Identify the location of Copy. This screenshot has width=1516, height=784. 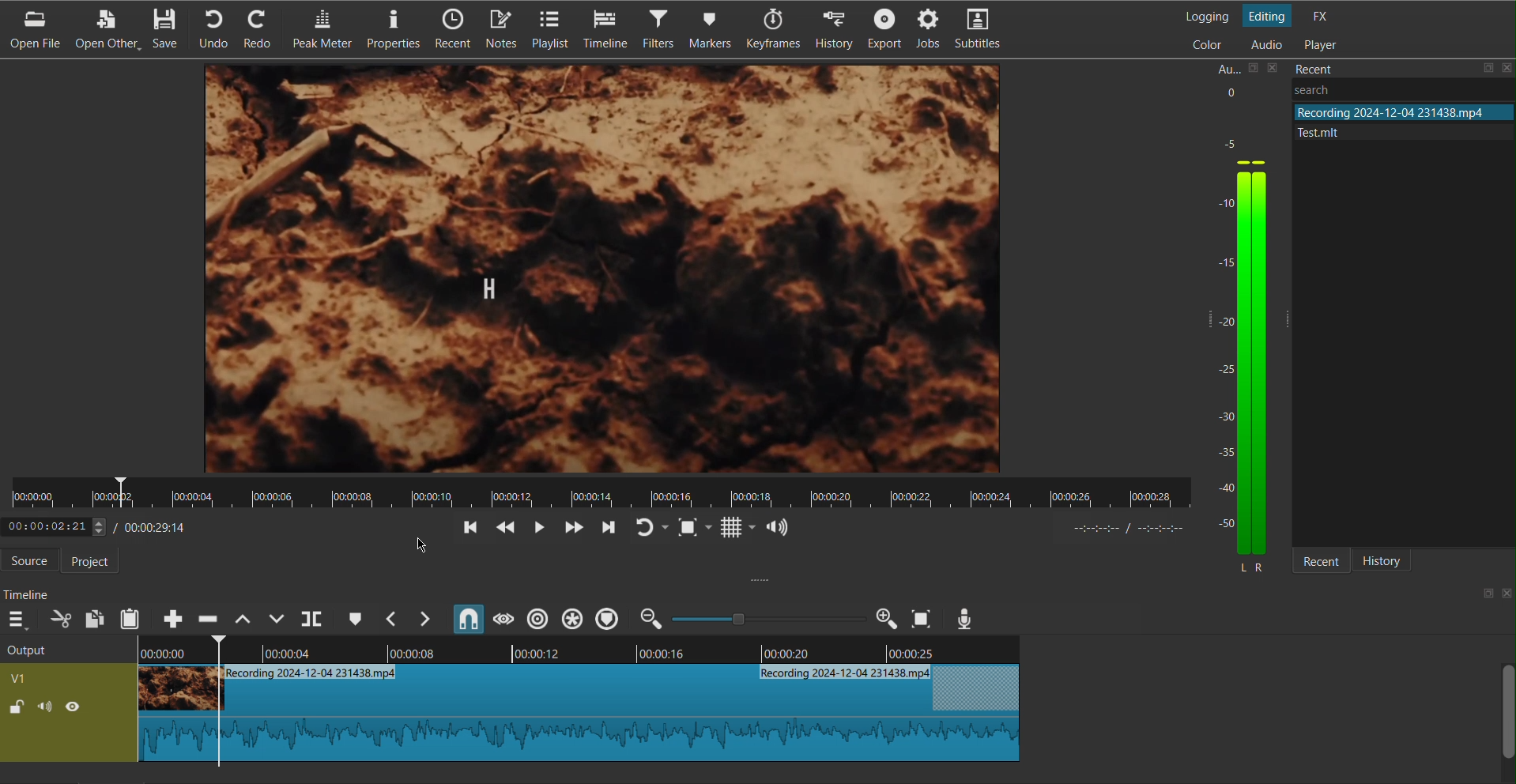
(95, 617).